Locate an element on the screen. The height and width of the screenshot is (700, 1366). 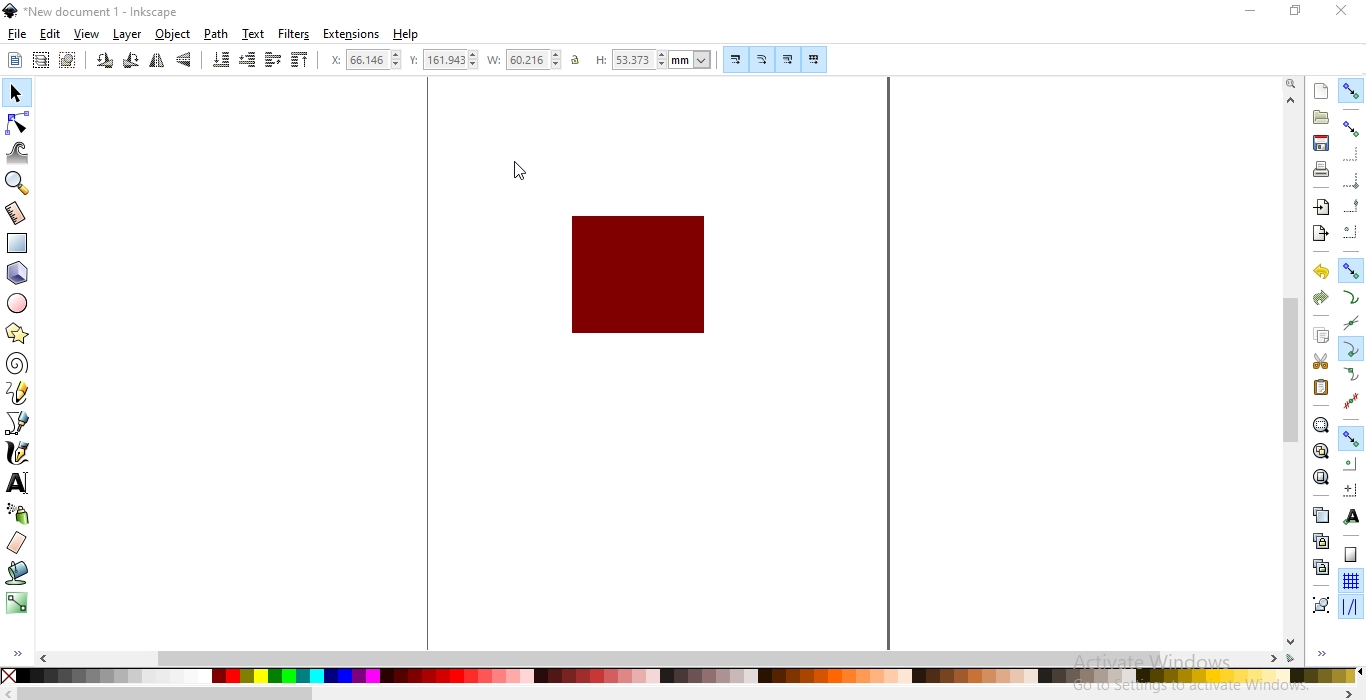
scrollbar is located at coordinates (658, 658).